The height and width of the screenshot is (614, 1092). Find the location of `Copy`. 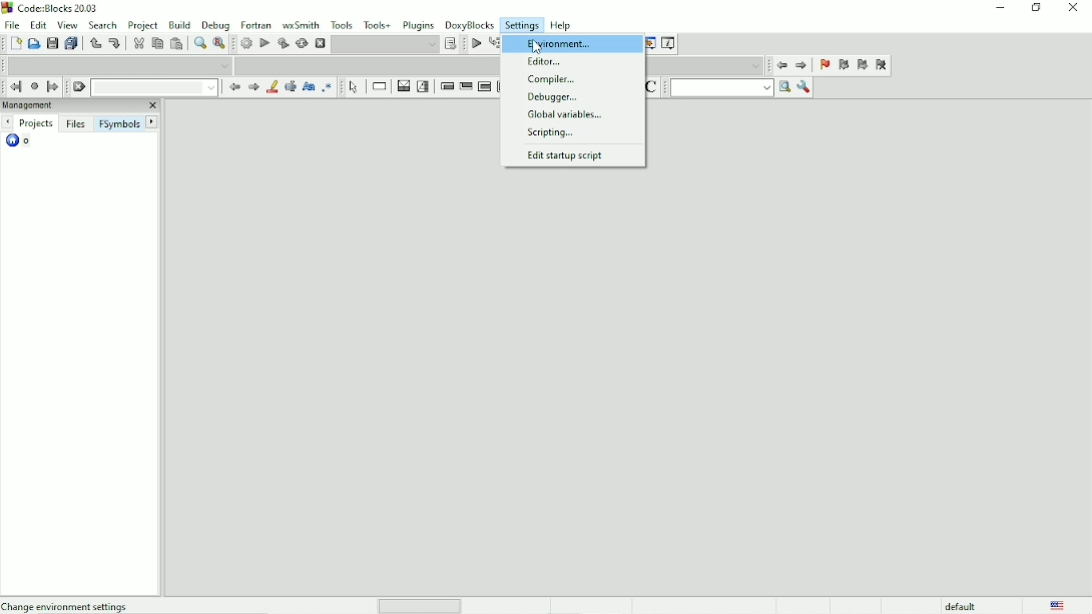

Copy is located at coordinates (157, 44).